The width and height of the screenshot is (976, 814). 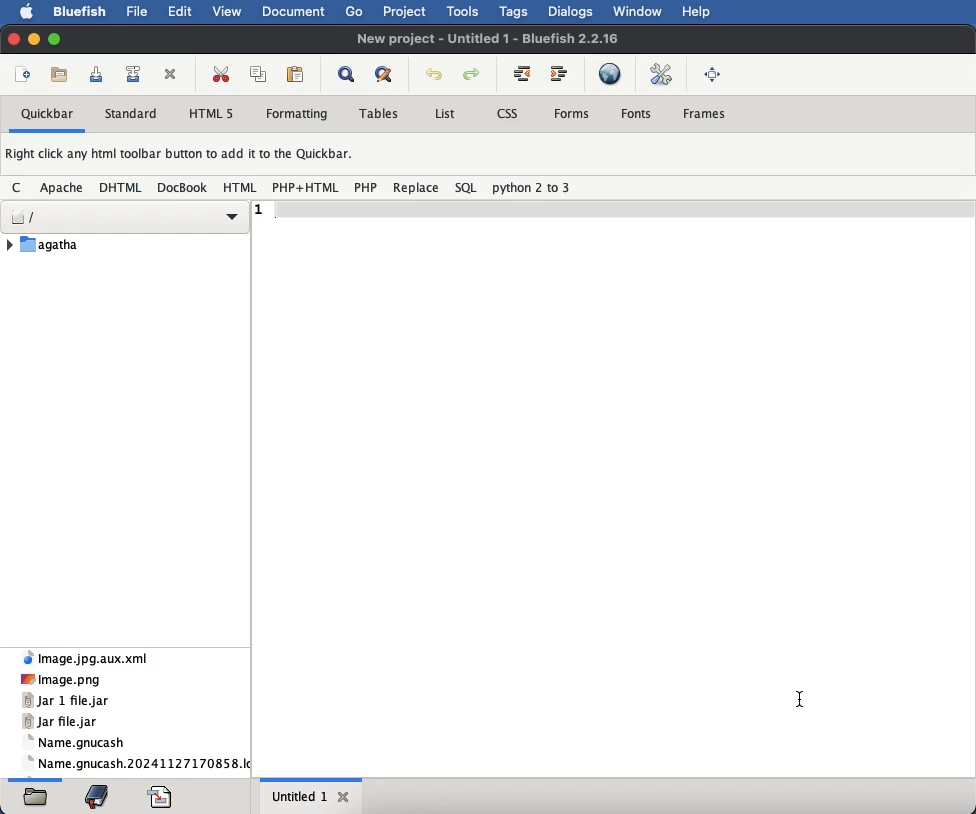 What do you see at coordinates (610, 73) in the screenshot?
I see `preview in browser` at bounding box center [610, 73].